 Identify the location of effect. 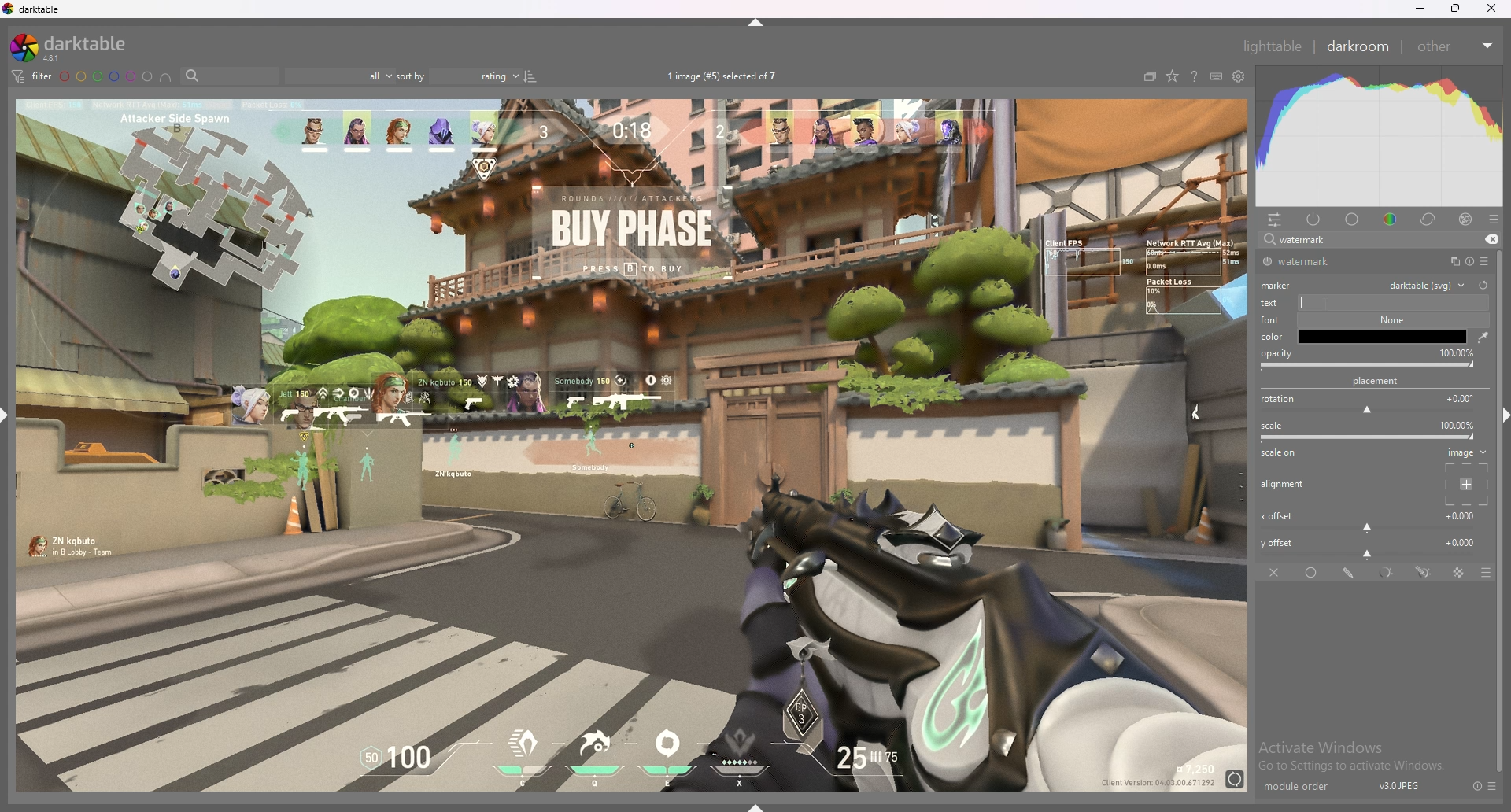
(1465, 220).